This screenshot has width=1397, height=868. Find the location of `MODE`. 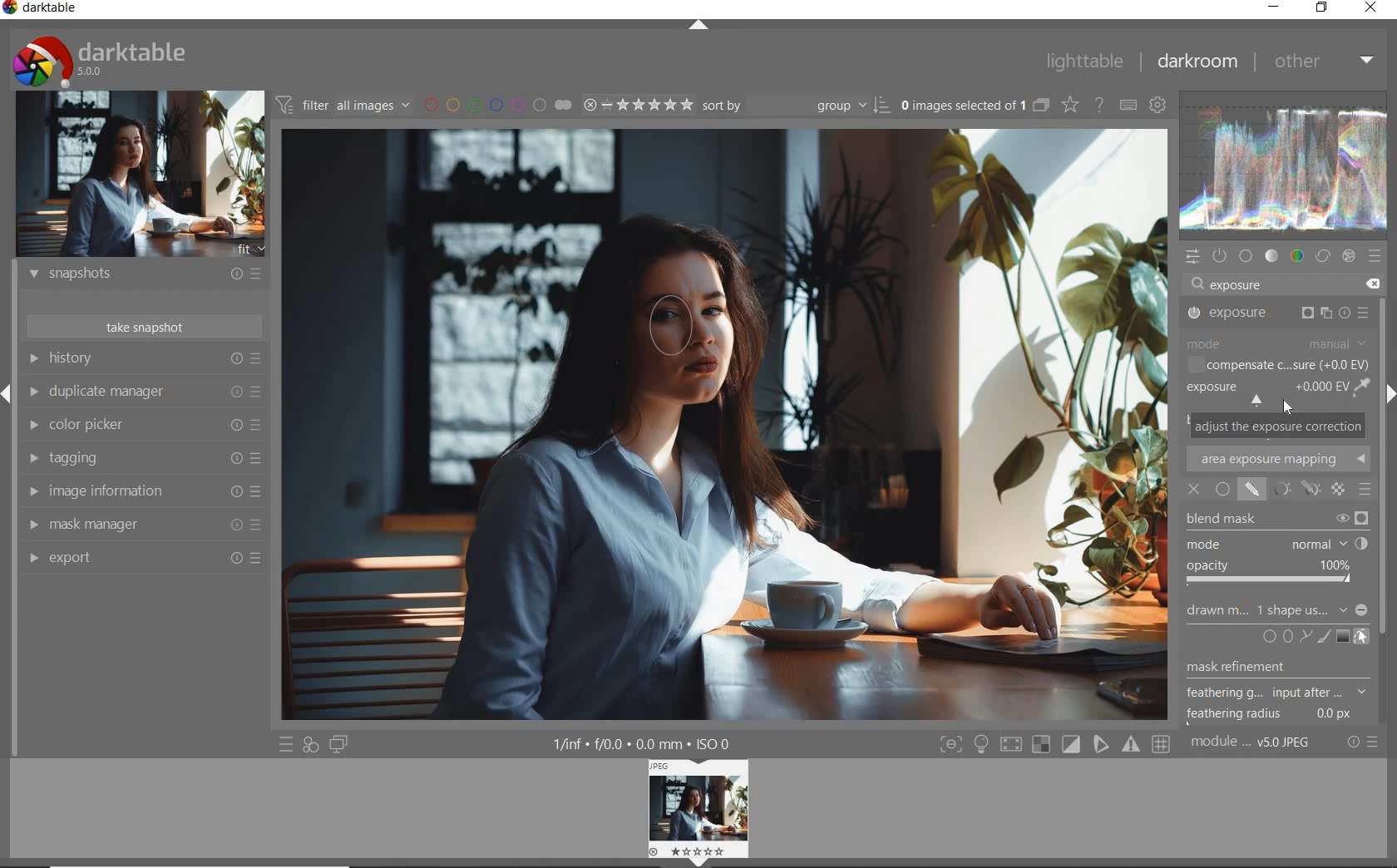

MODE is located at coordinates (1276, 545).